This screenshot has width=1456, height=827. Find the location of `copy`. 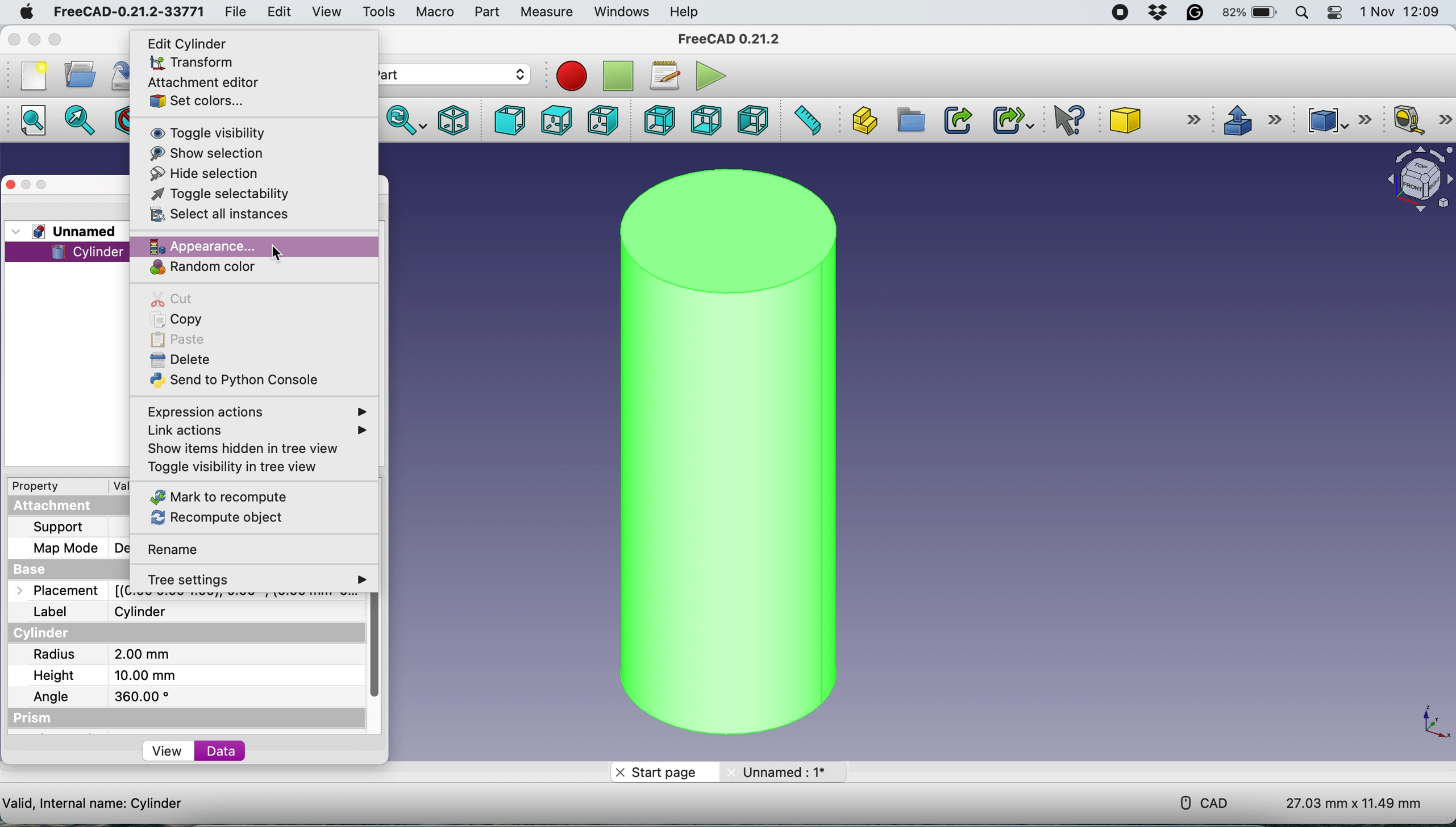

copy is located at coordinates (181, 319).